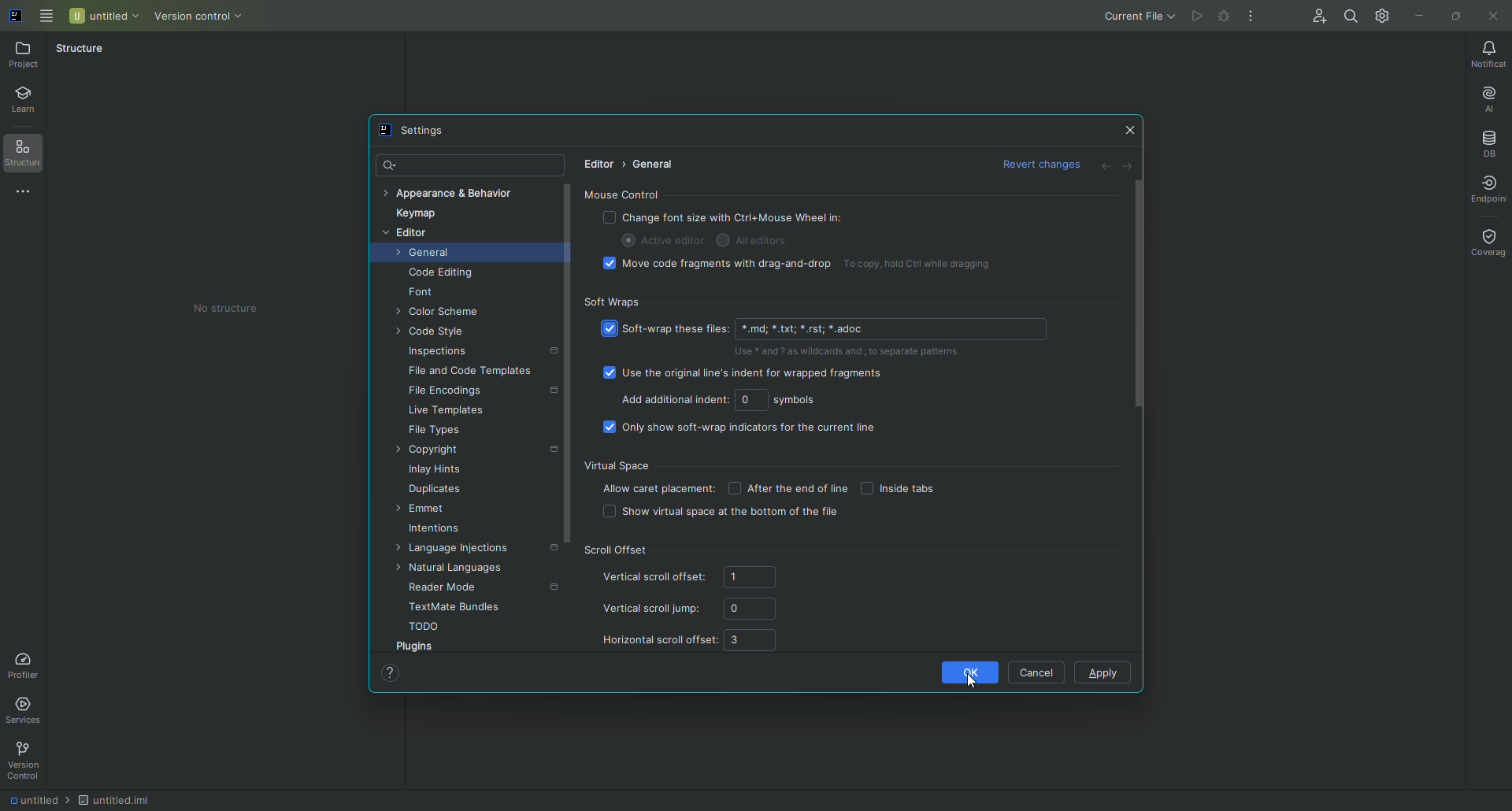 The image size is (1512, 811). What do you see at coordinates (28, 56) in the screenshot?
I see `Project` at bounding box center [28, 56].